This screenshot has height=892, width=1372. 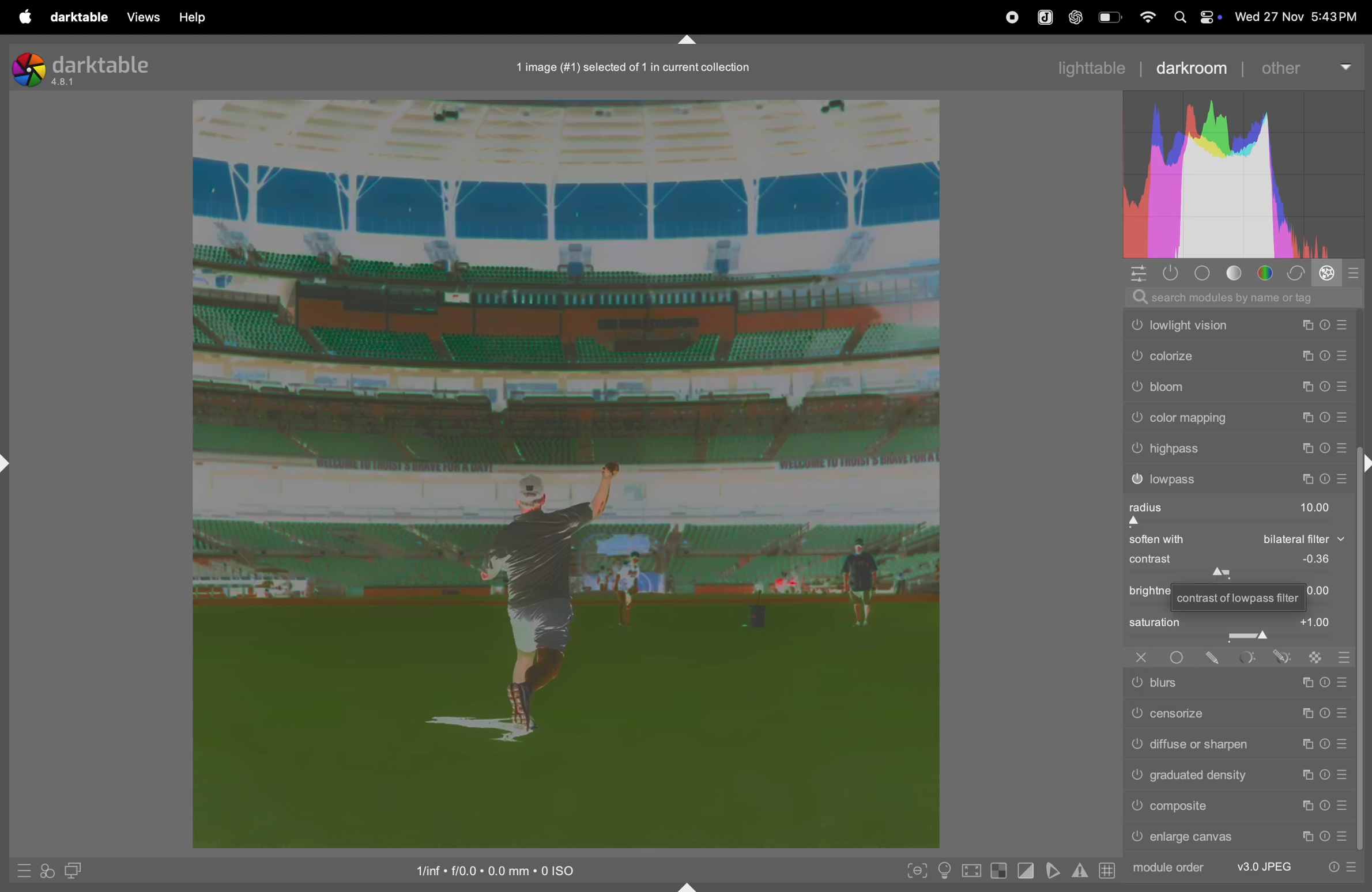 What do you see at coordinates (688, 886) in the screenshot?
I see `shift+ctrl+b` at bounding box center [688, 886].